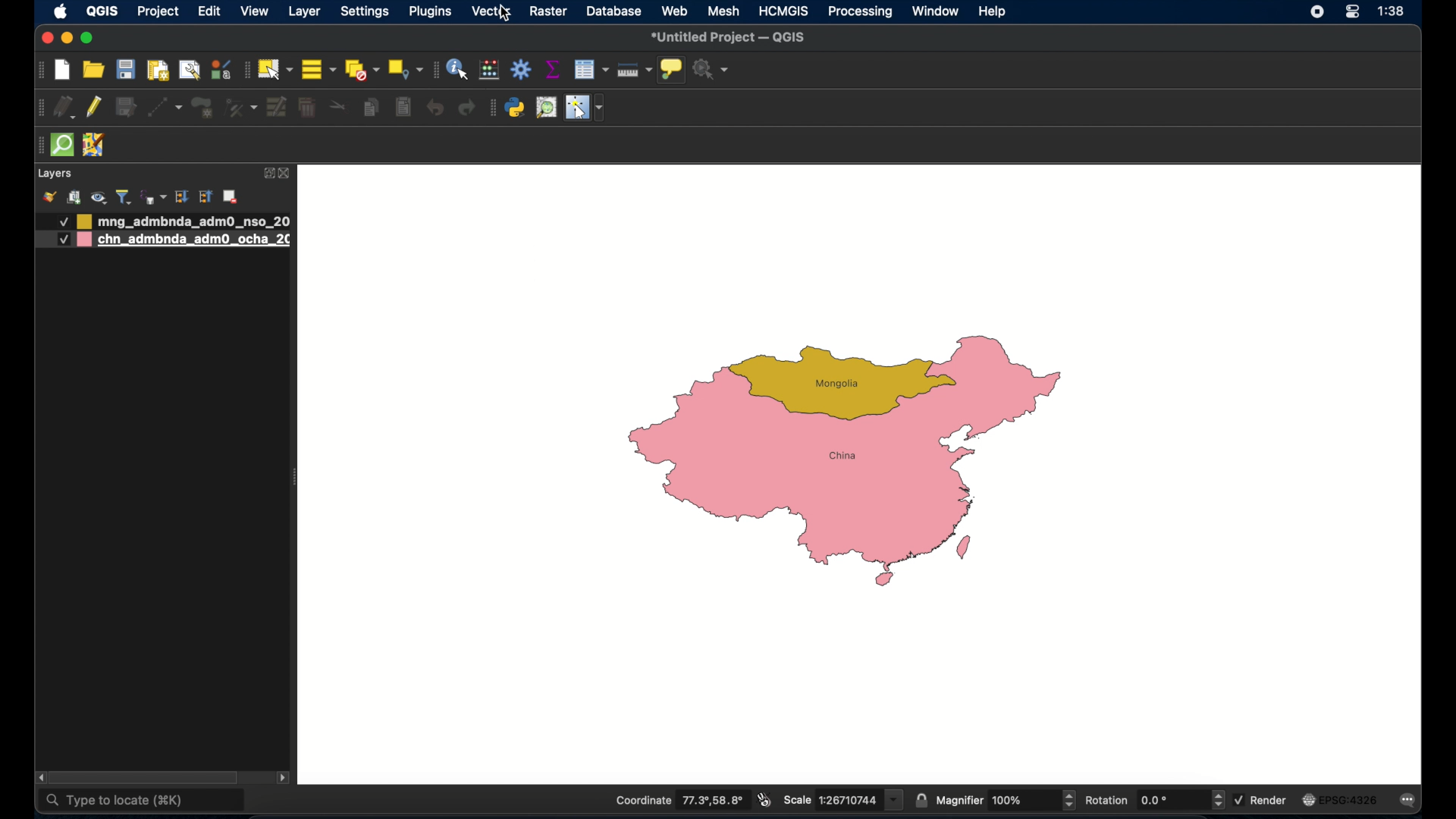 This screenshot has width=1456, height=819. I want to click on measure line, so click(633, 71).